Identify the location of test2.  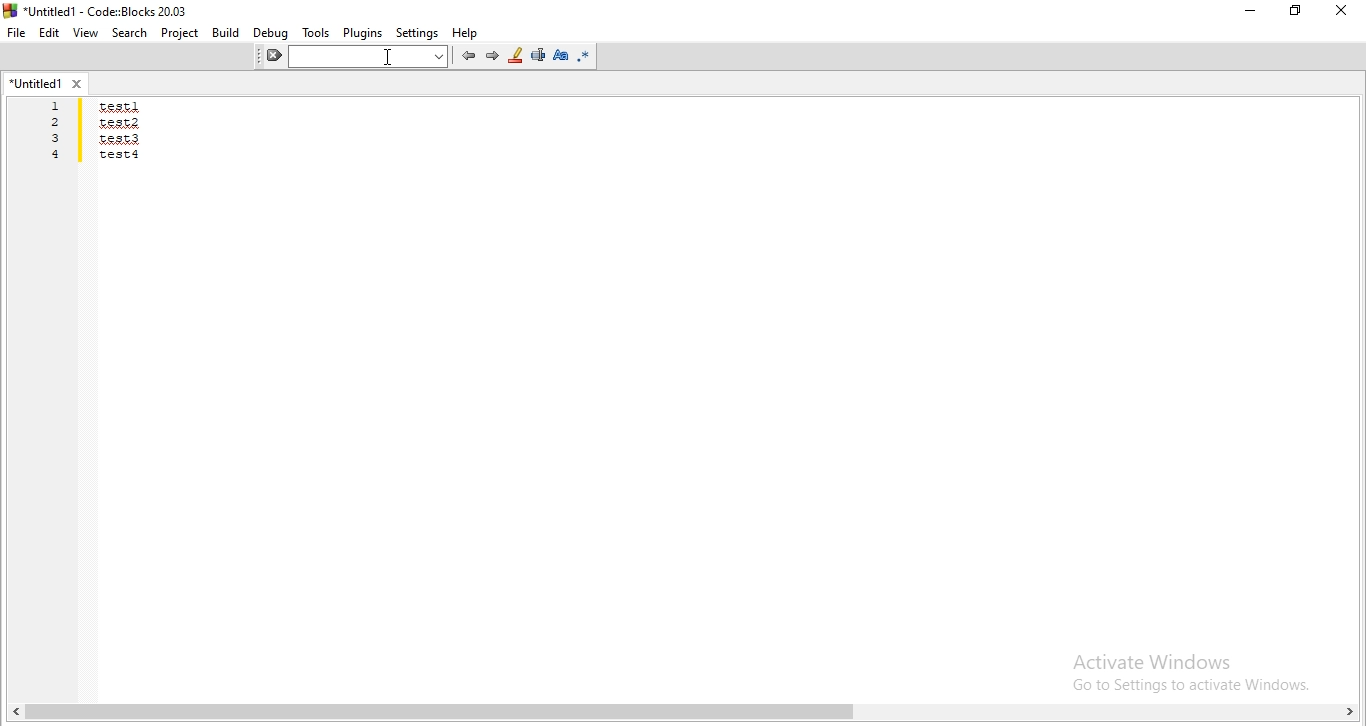
(118, 122).